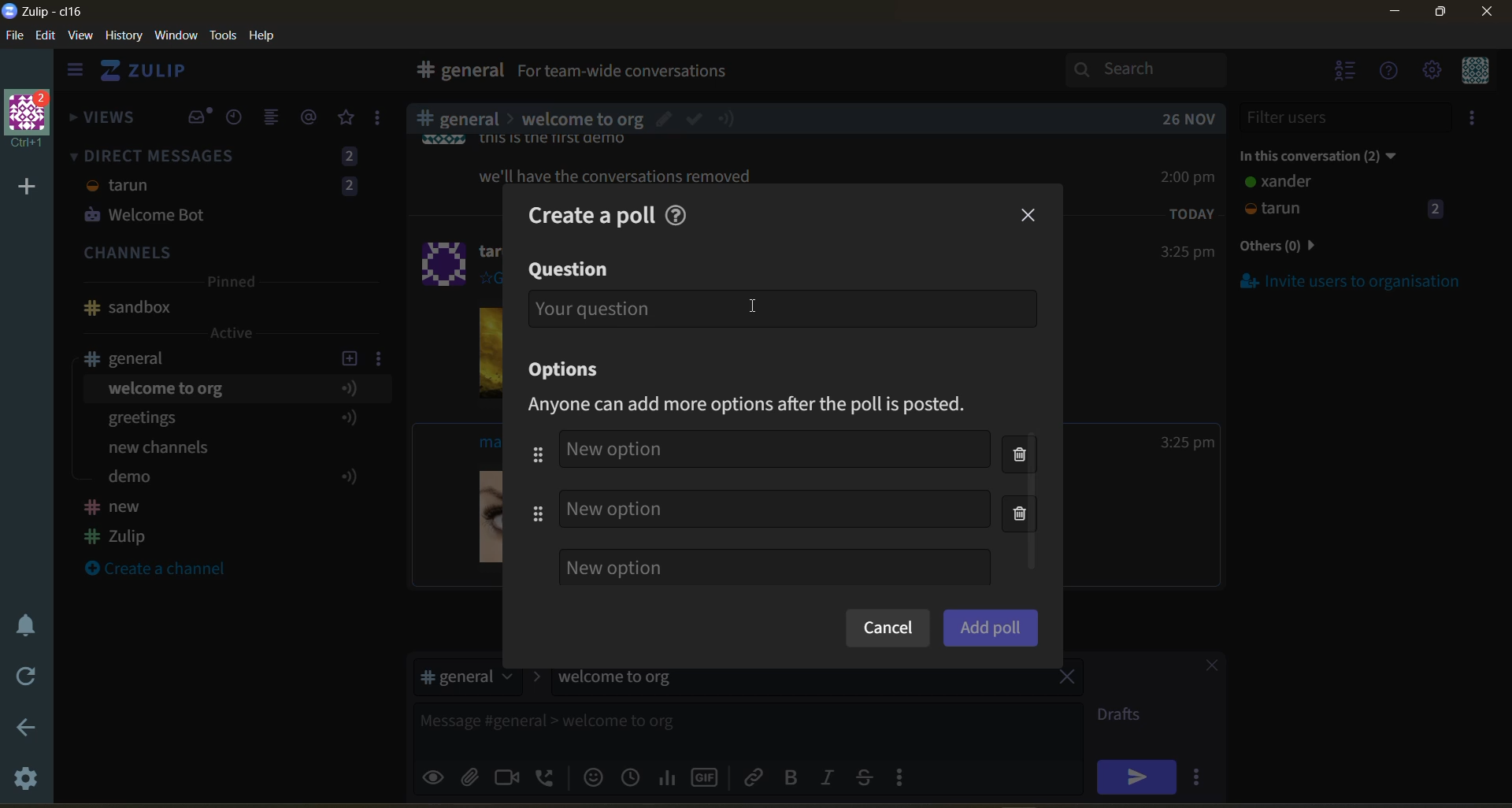 Image resolution: width=1512 pixels, height=808 pixels. What do you see at coordinates (1125, 717) in the screenshot?
I see `drafts` at bounding box center [1125, 717].